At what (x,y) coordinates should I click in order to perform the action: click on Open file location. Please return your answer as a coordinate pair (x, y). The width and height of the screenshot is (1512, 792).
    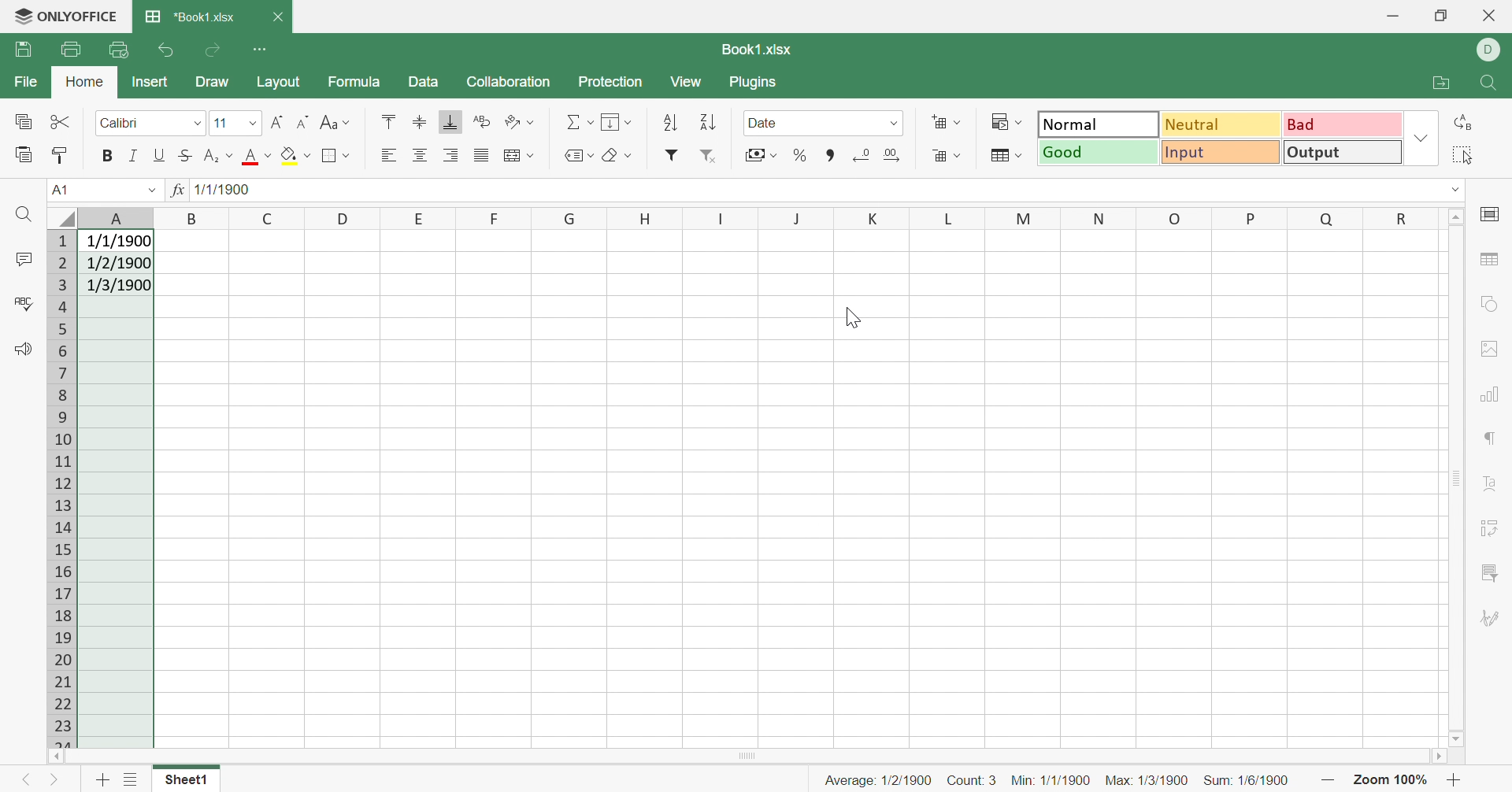
    Looking at the image, I should click on (1439, 83).